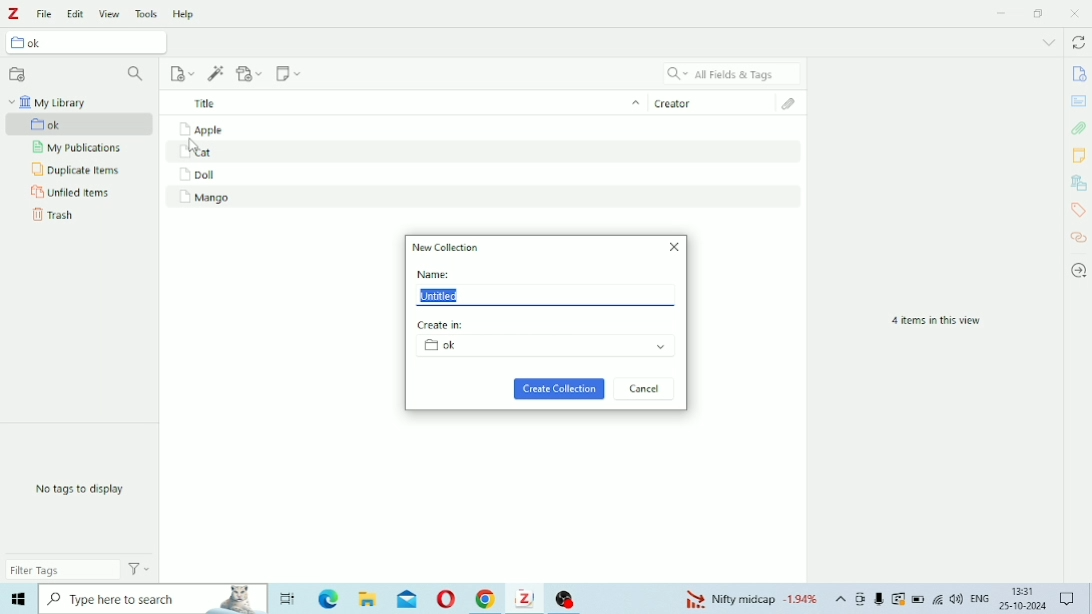 Image resolution: width=1092 pixels, height=614 pixels. What do you see at coordinates (1078, 42) in the screenshot?
I see `Sync` at bounding box center [1078, 42].